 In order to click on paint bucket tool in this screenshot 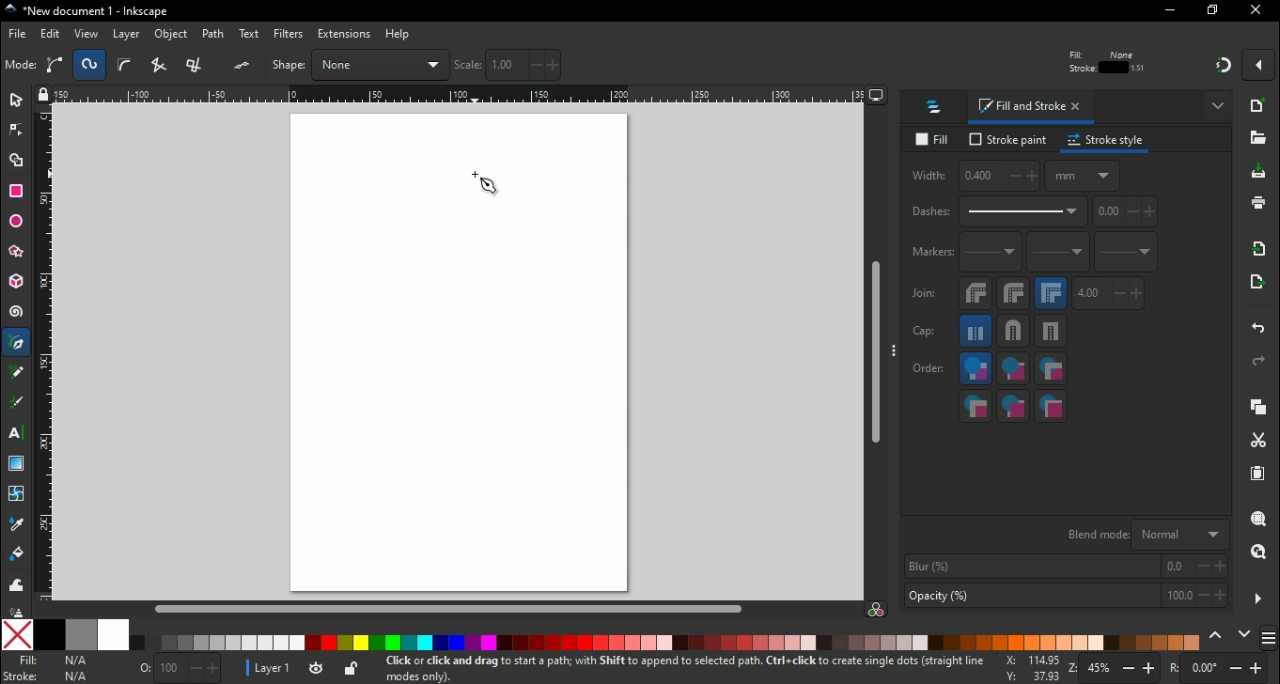, I will do `click(14, 556)`.